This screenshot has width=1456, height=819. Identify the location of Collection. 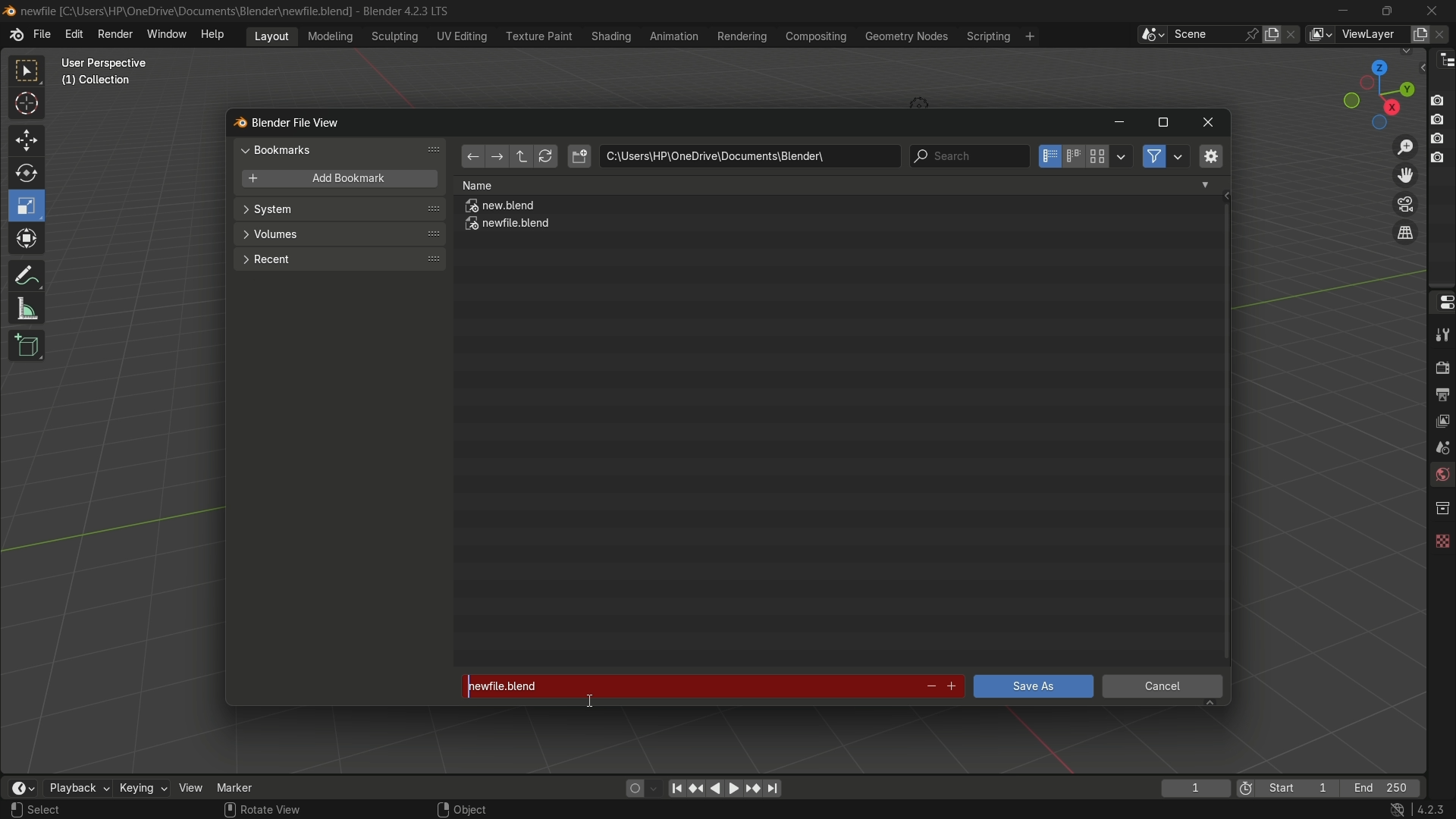
(99, 83).